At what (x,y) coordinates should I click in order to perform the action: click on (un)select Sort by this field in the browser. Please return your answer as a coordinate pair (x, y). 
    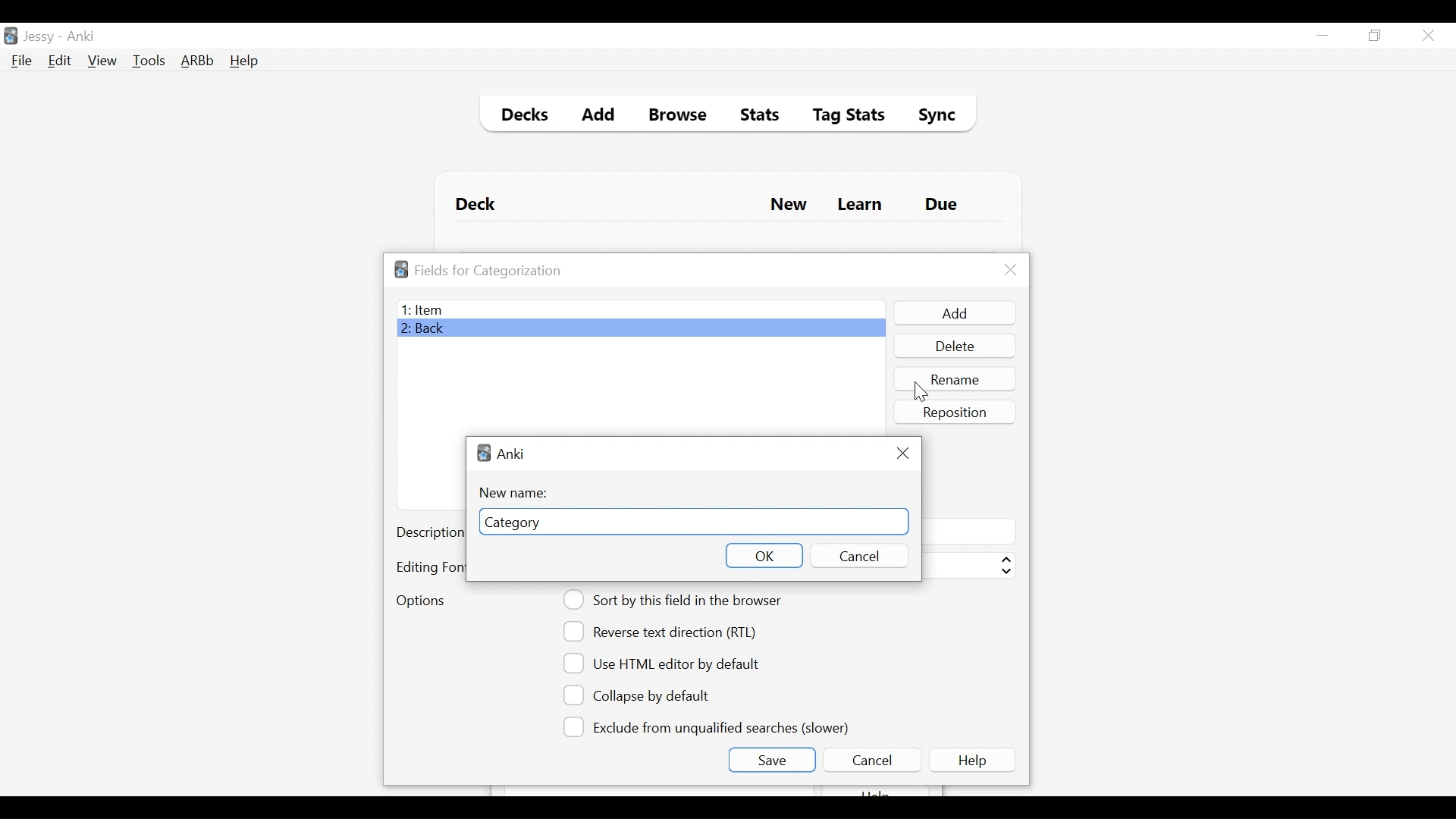
    Looking at the image, I should click on (675, 600).